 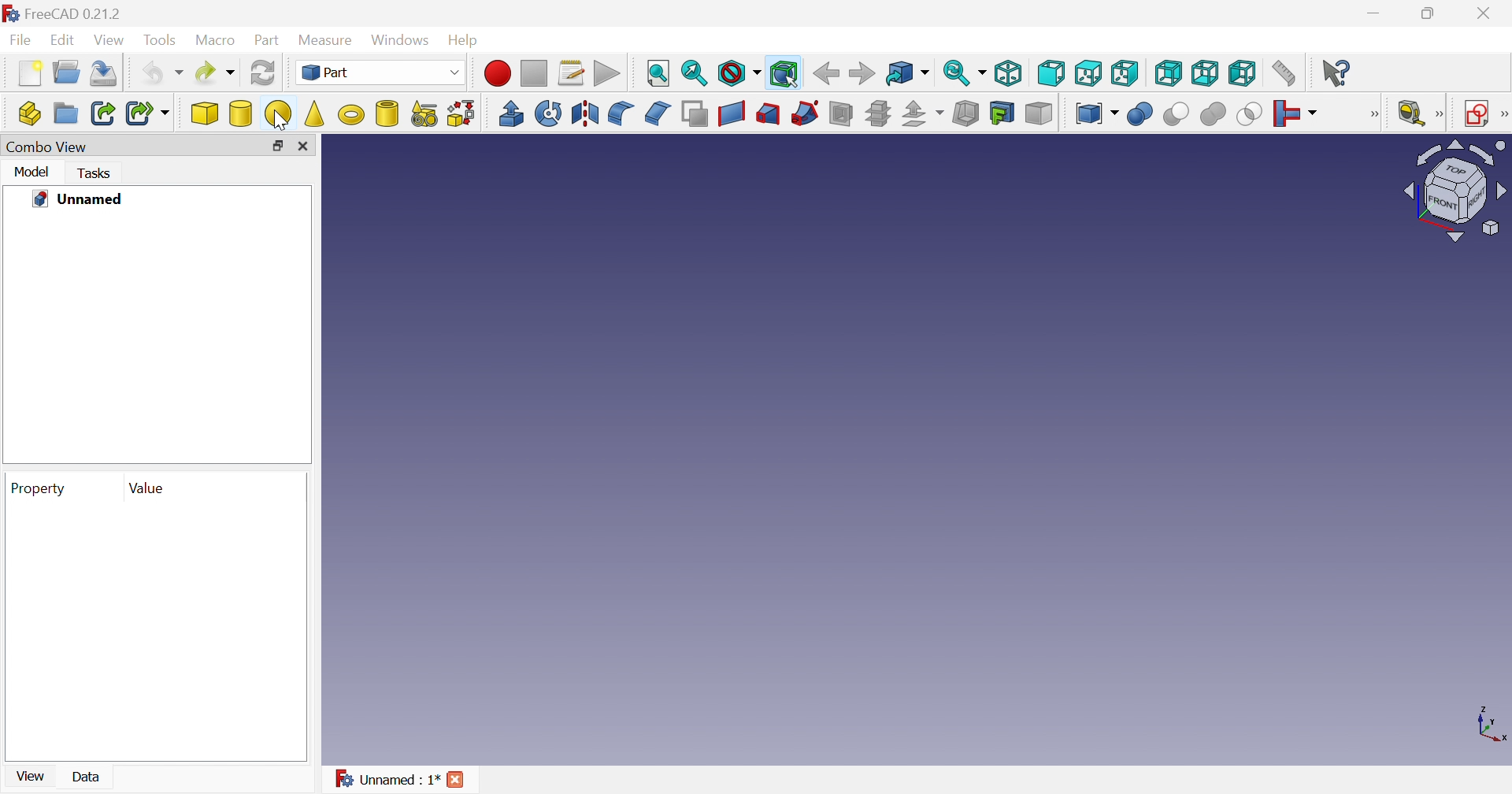 What do you see at coordinates (10, 13) in the screenshot?
I see `logo` at bounding box center [10, 13].